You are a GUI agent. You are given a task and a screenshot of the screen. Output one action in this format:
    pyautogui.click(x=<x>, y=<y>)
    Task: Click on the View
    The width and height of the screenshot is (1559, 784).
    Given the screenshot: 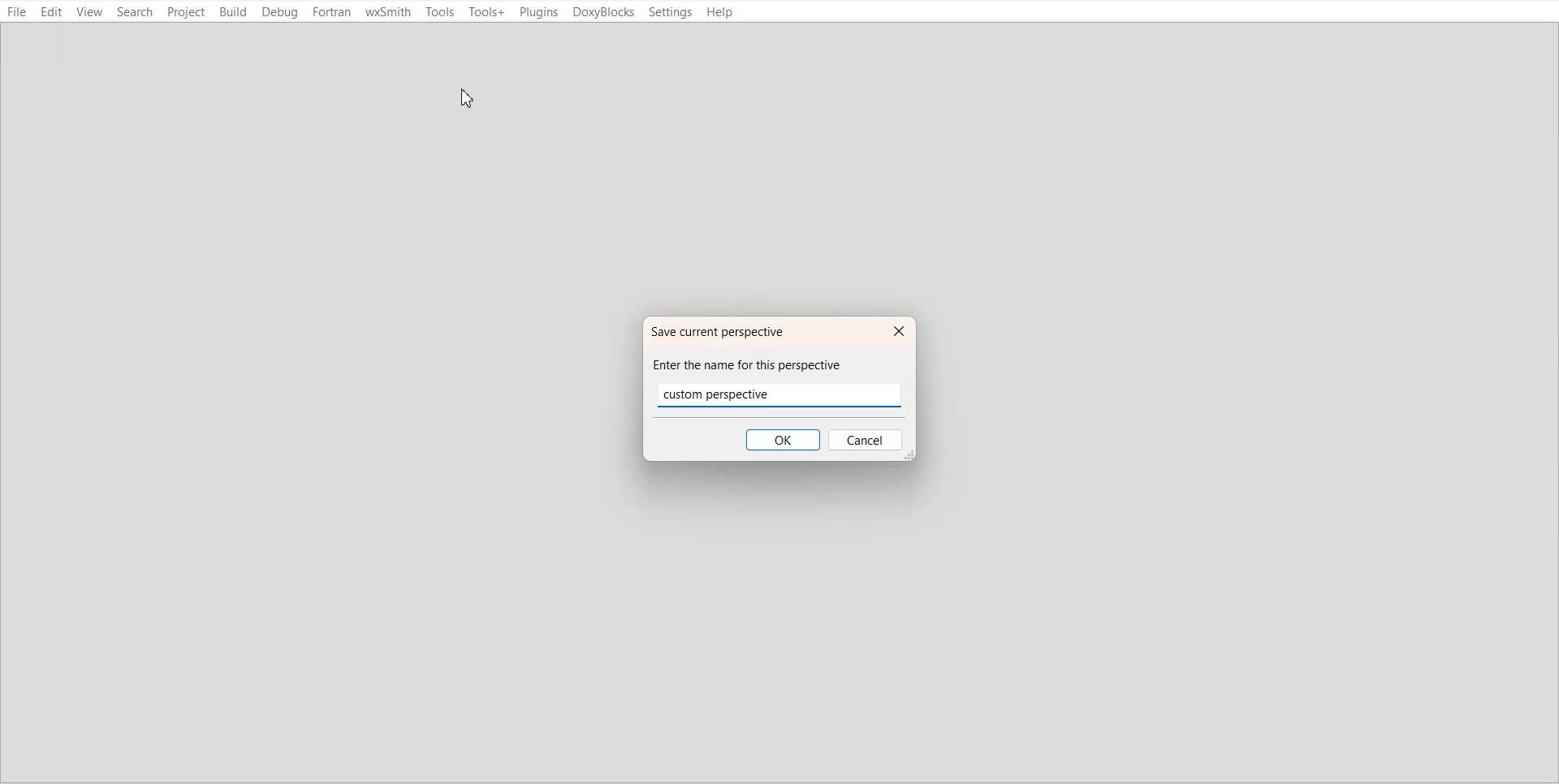 What is the action you would take?
    pyautogui.click(x=89, y=12)
    